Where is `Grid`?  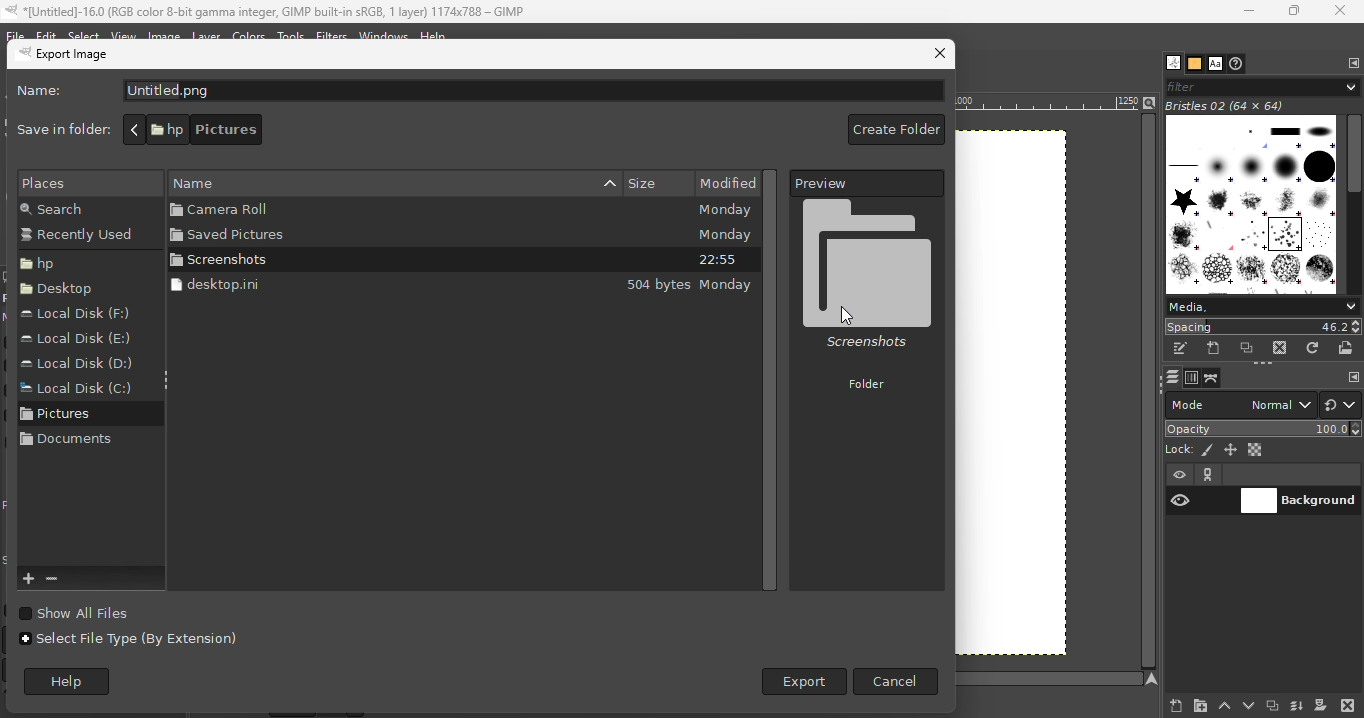 Grid is located at coordinates (1030, 399).